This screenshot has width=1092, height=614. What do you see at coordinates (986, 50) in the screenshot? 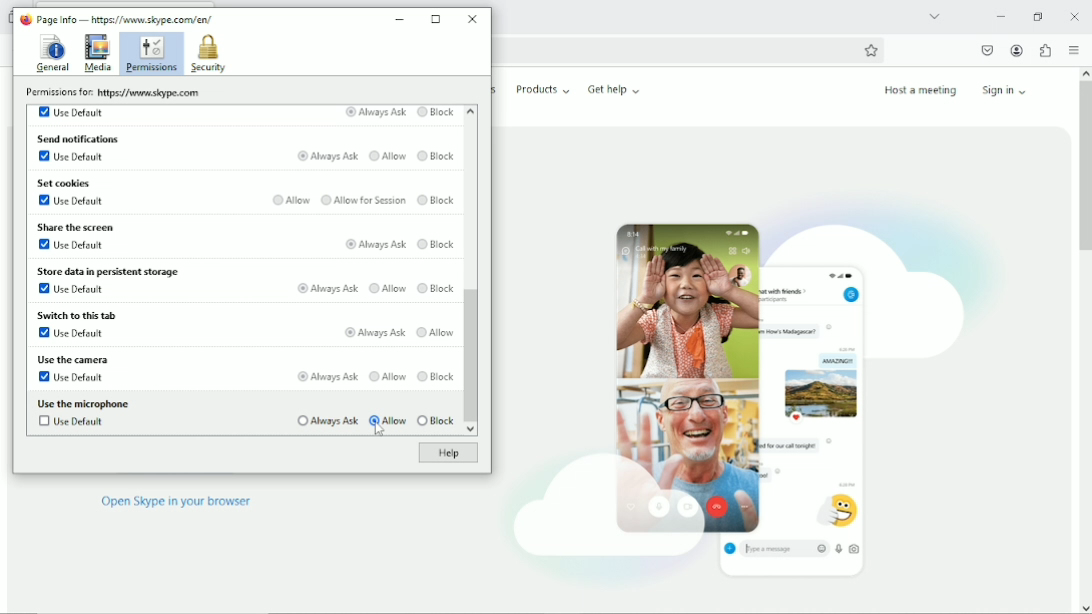
I see `Save to pocket` at bounding box center [986, 50].